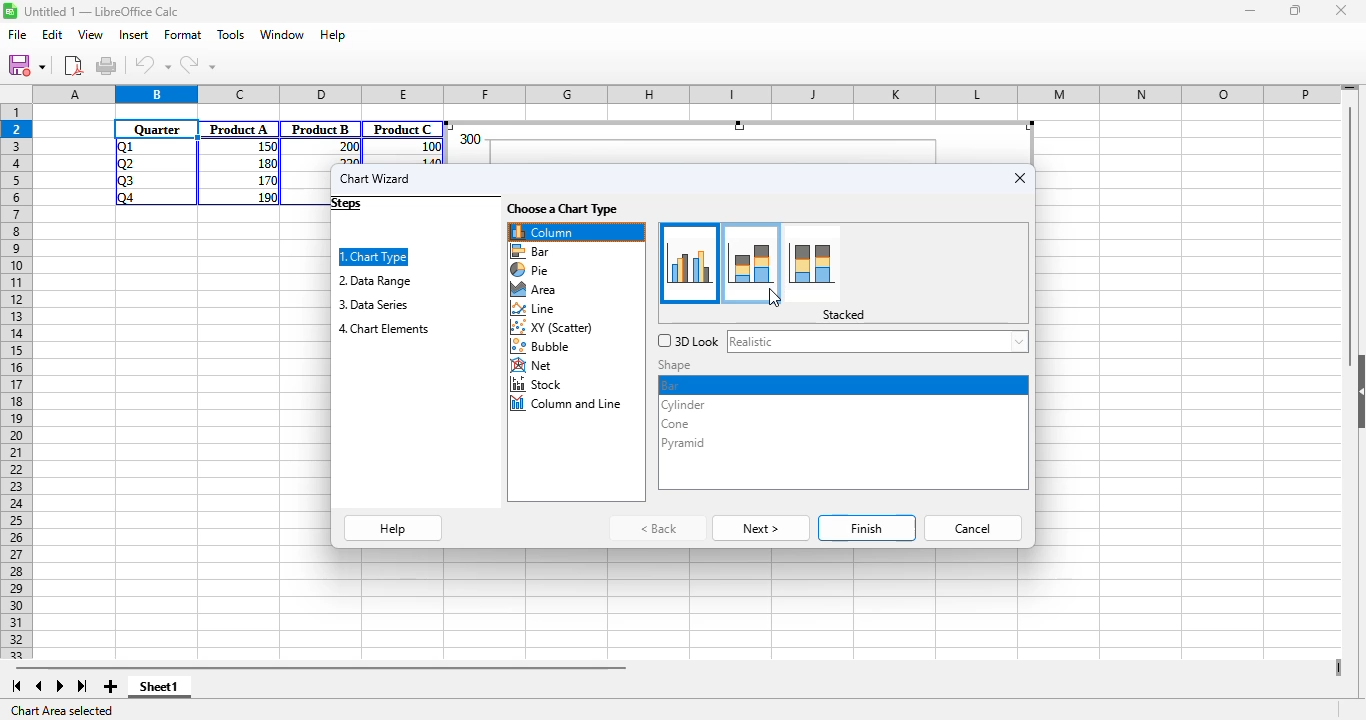  Describe the element at coordinates (265, 179) in the screenshot. I see `170` at that location.